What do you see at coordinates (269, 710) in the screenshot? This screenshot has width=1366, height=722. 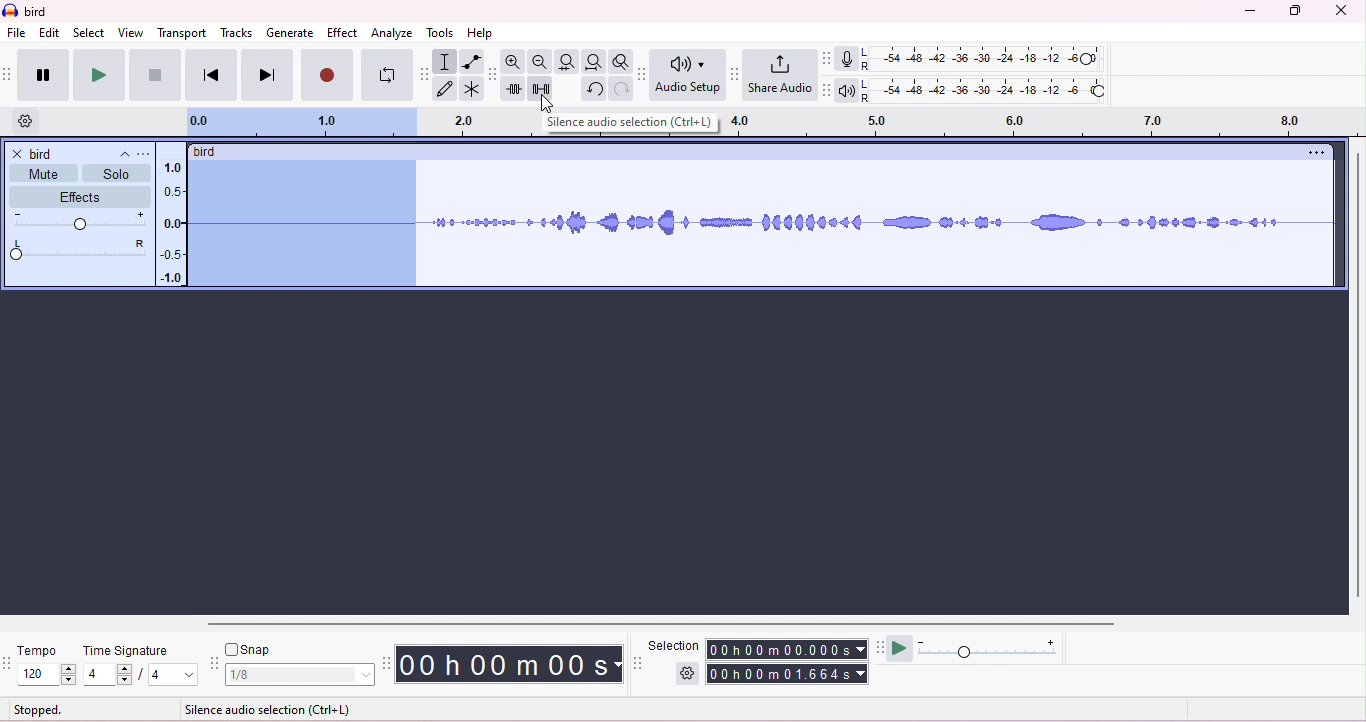 I see `silence audio selection (Ctrl+L)` at bounding box center [269, 710].